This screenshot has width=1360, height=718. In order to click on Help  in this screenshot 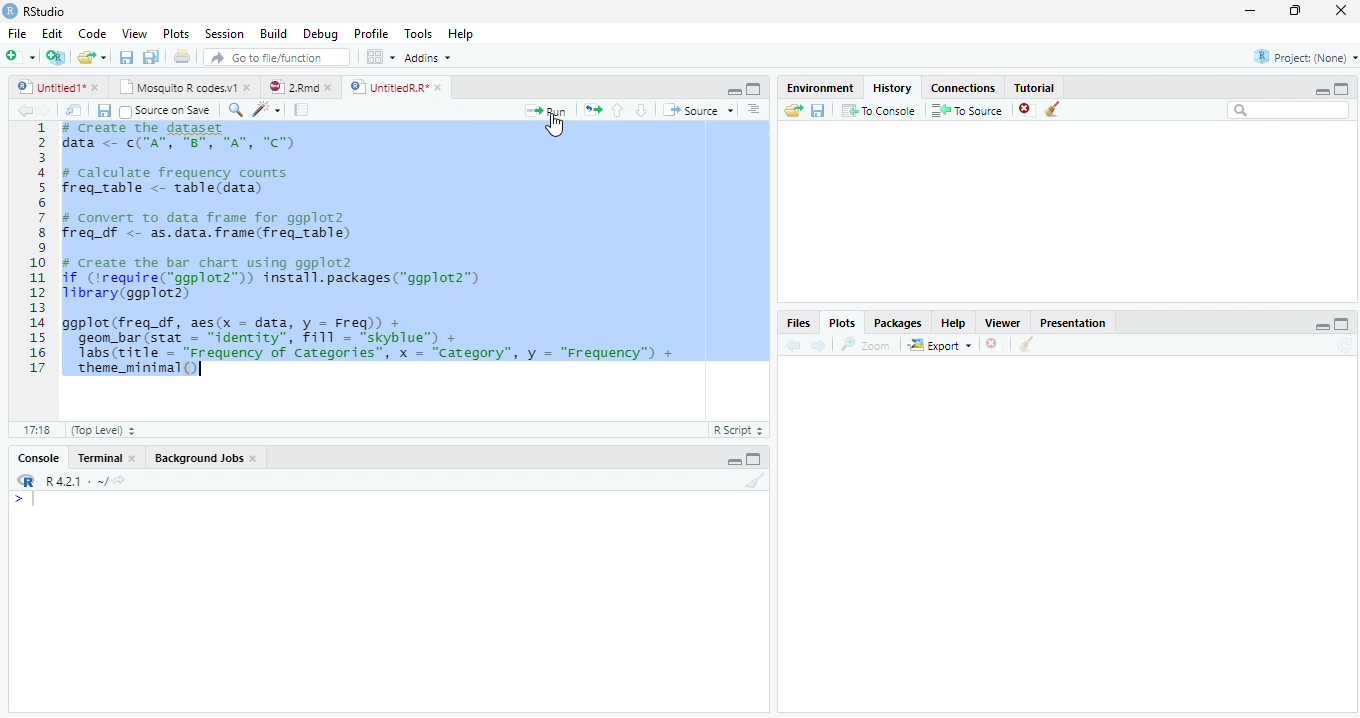, I will do `click(959, 324)`.